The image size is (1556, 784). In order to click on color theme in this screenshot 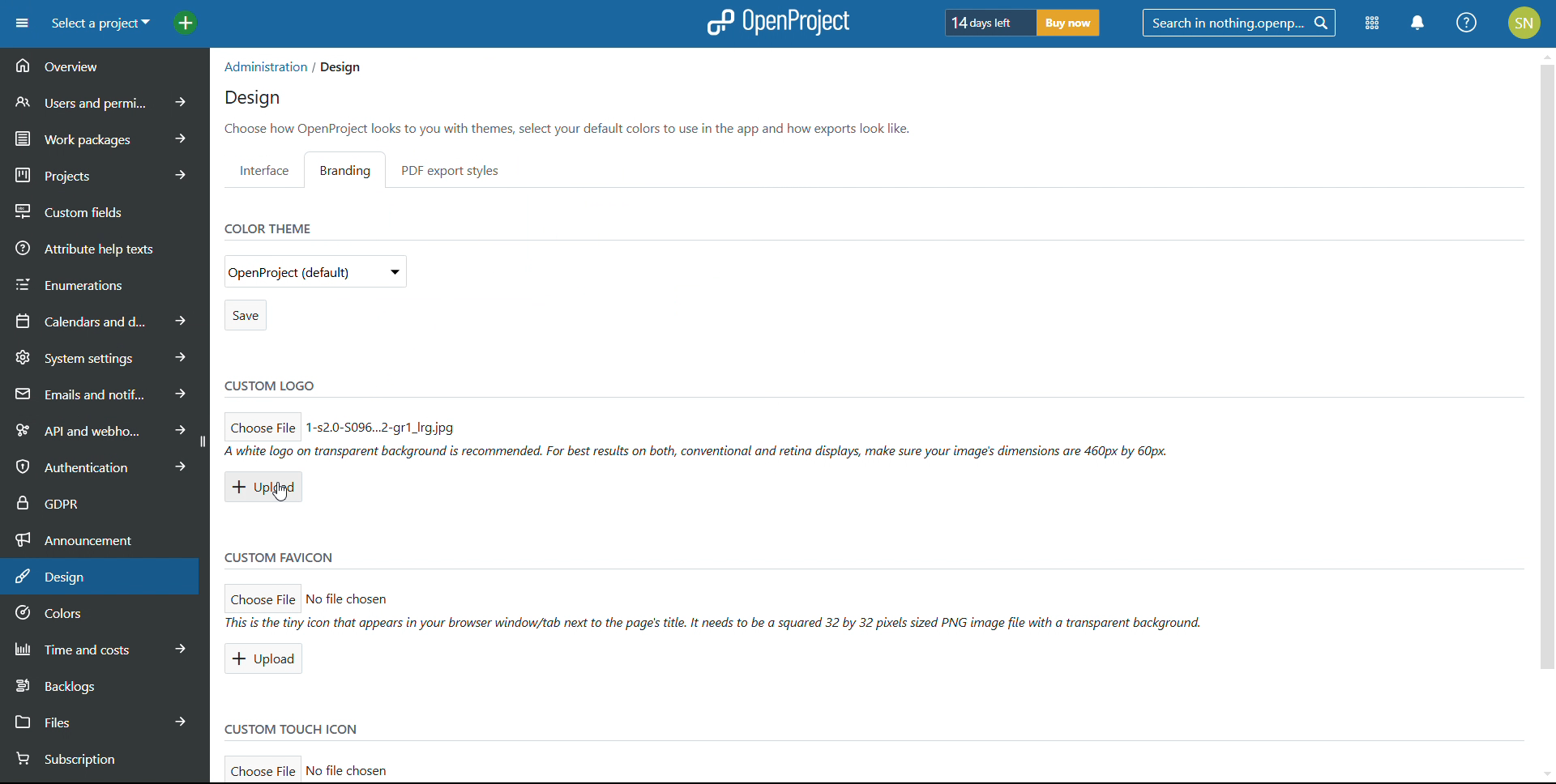, I will do `click(266, 228)`.